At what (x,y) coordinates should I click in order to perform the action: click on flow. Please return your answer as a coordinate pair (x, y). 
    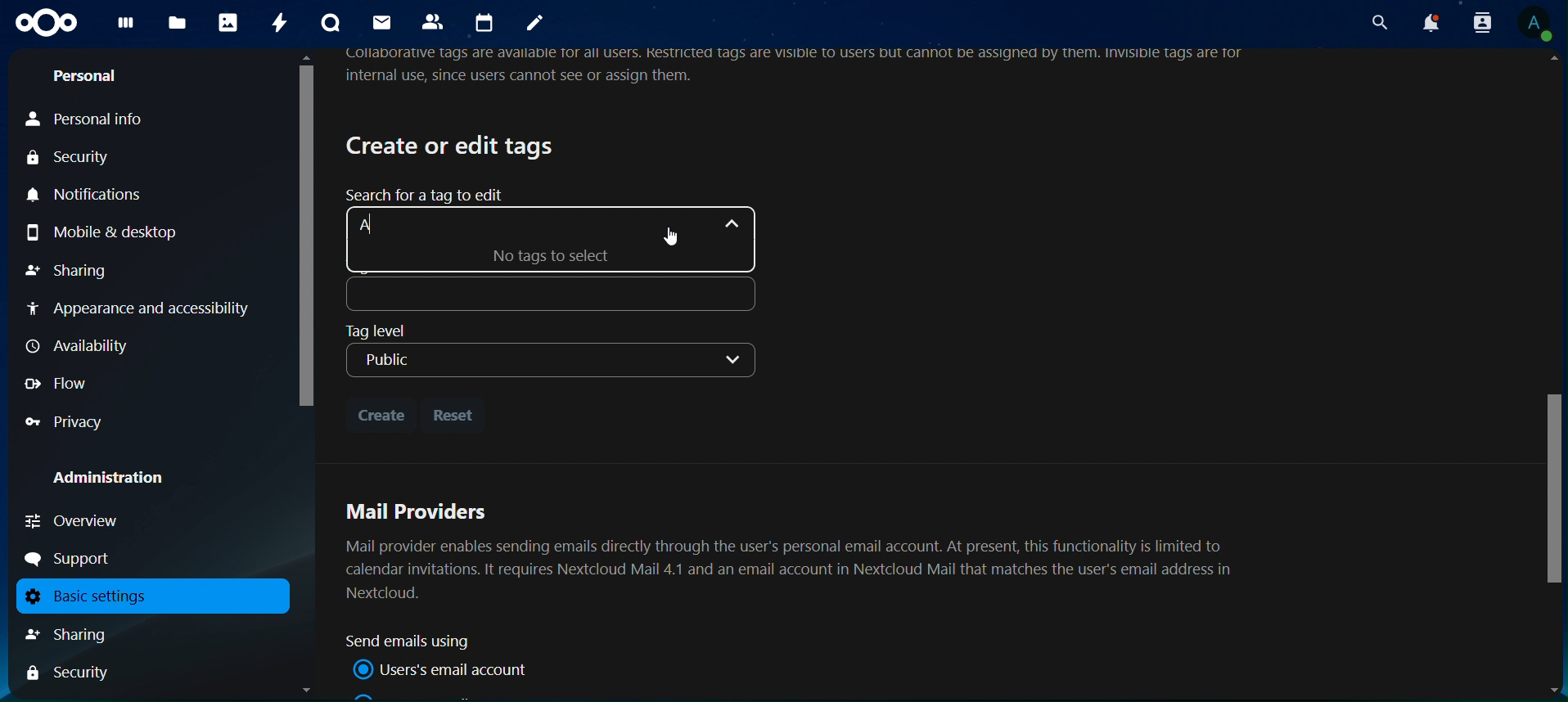
    Looking at the image, I should click on (59, 383).